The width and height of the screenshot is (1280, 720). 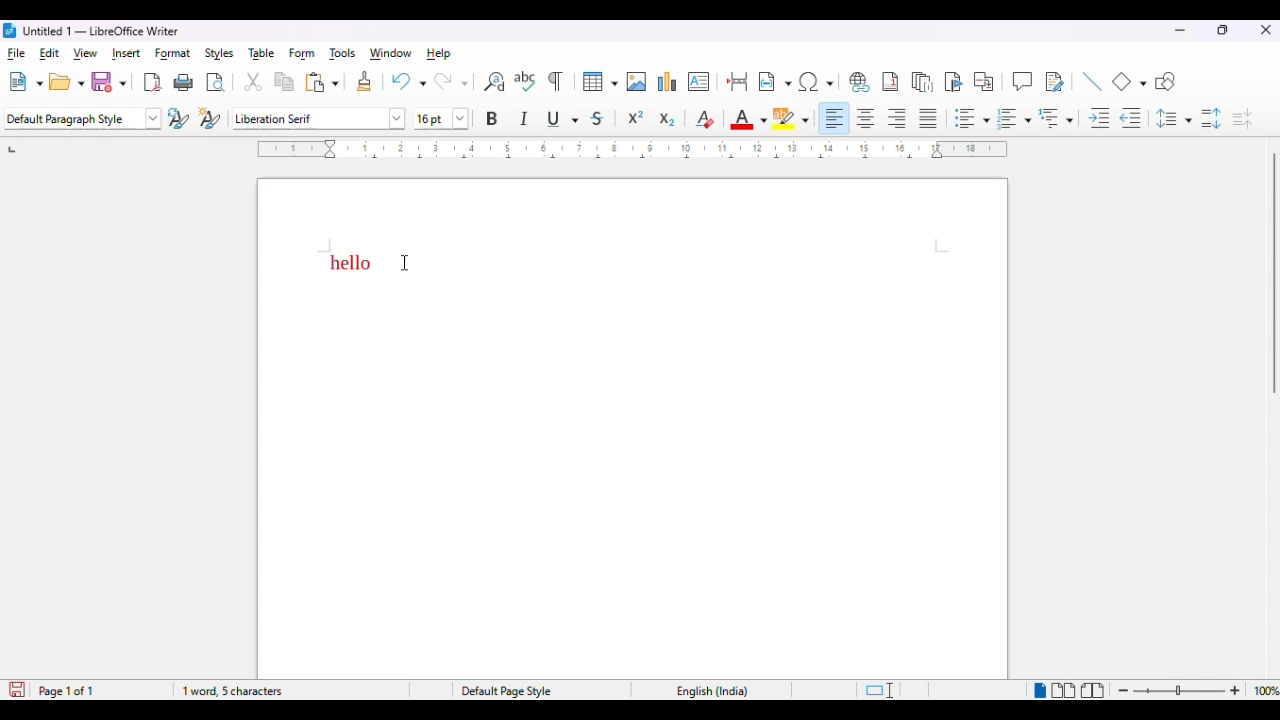 What do you see at coordinates (923, 82) in the screenshot?
I see `insert endnote` at bounding box center [923, 82].